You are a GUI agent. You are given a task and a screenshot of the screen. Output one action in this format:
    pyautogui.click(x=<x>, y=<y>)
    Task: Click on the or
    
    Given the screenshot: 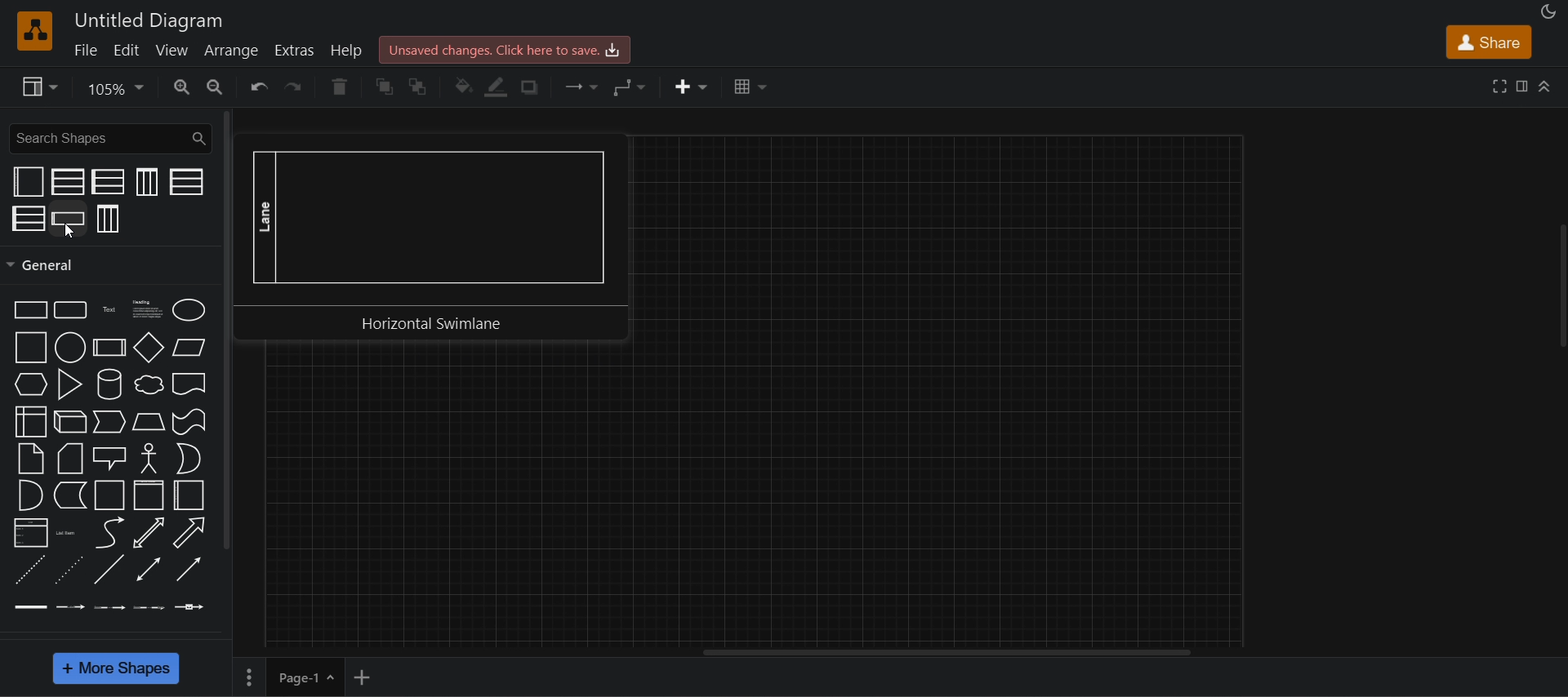 What is the action you would take?
    pyautogui.click(x=188, y=458)
    